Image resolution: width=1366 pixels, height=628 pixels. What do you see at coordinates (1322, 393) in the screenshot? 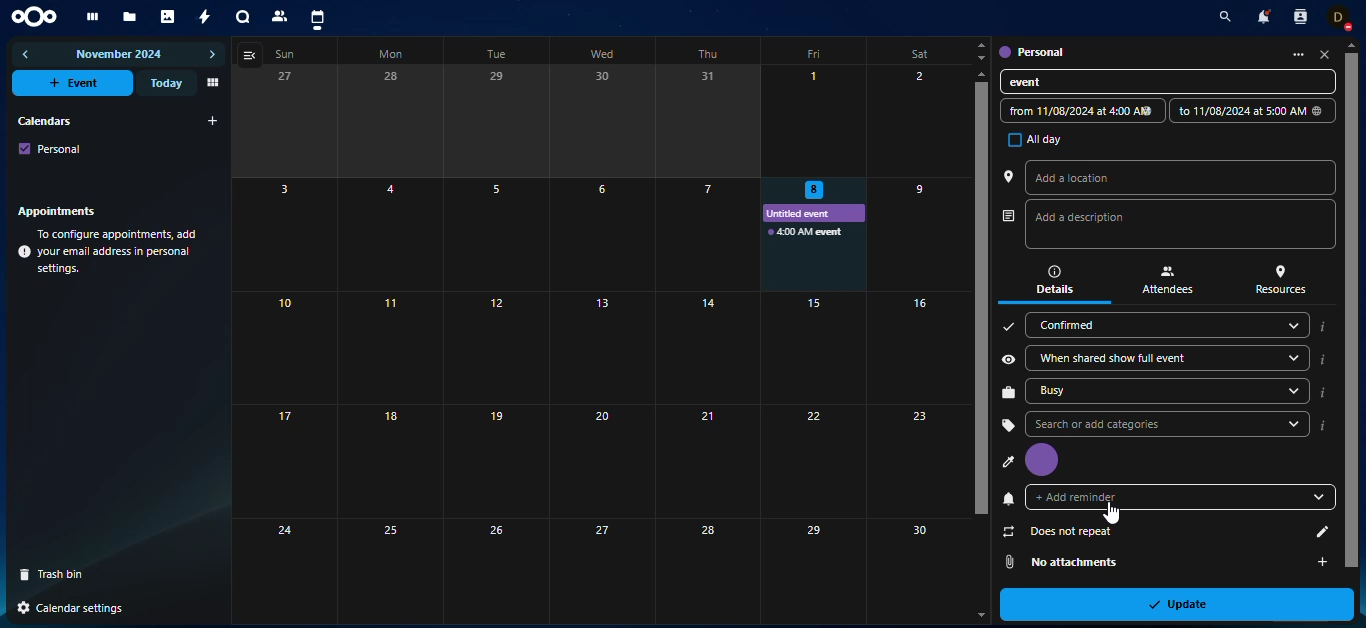
I see `i` at bounding box center [1322, 393].